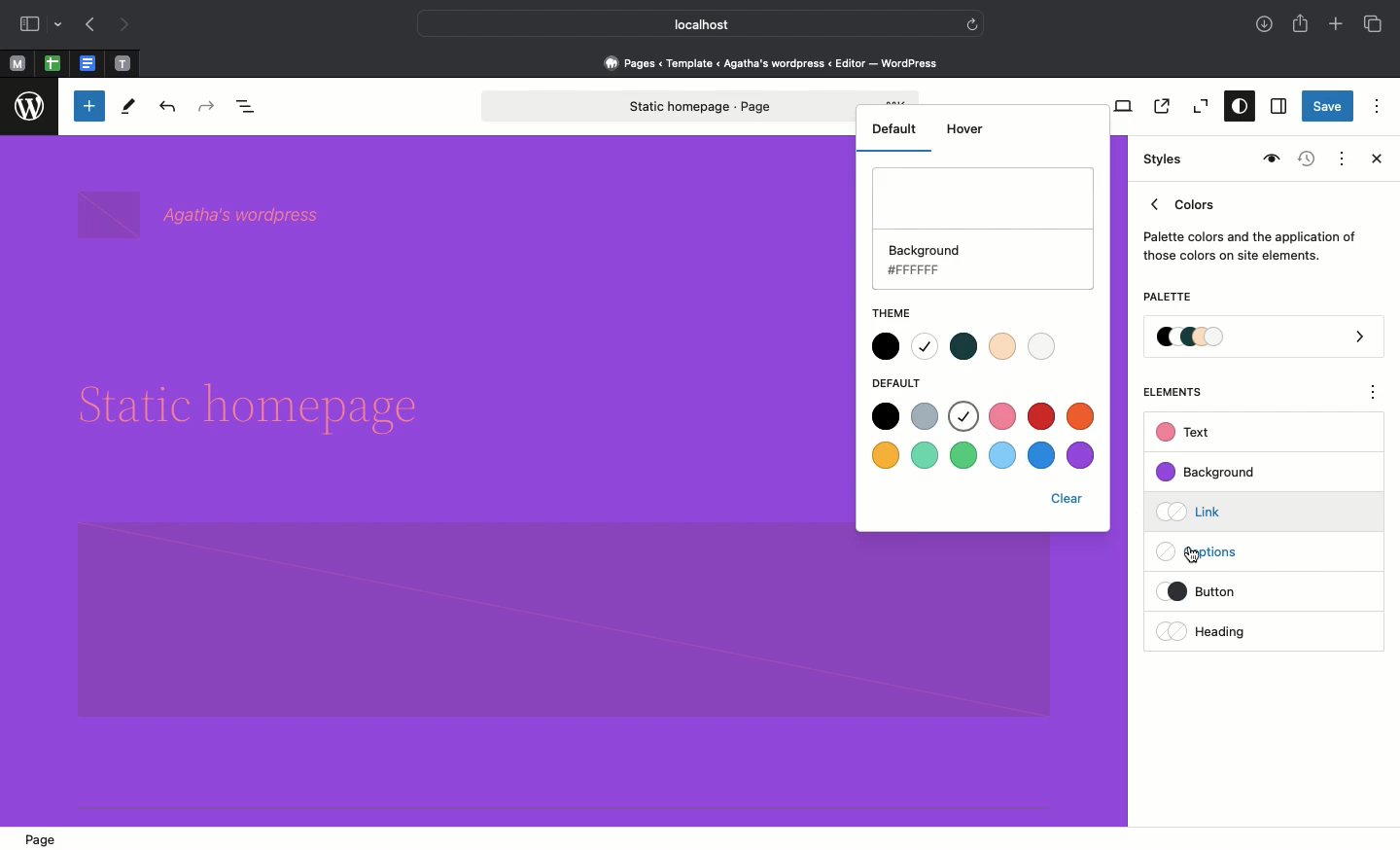  What do you see at coordinates (560, 620) in the screenshot?
I see `Block` at bounding box center [560, 620].